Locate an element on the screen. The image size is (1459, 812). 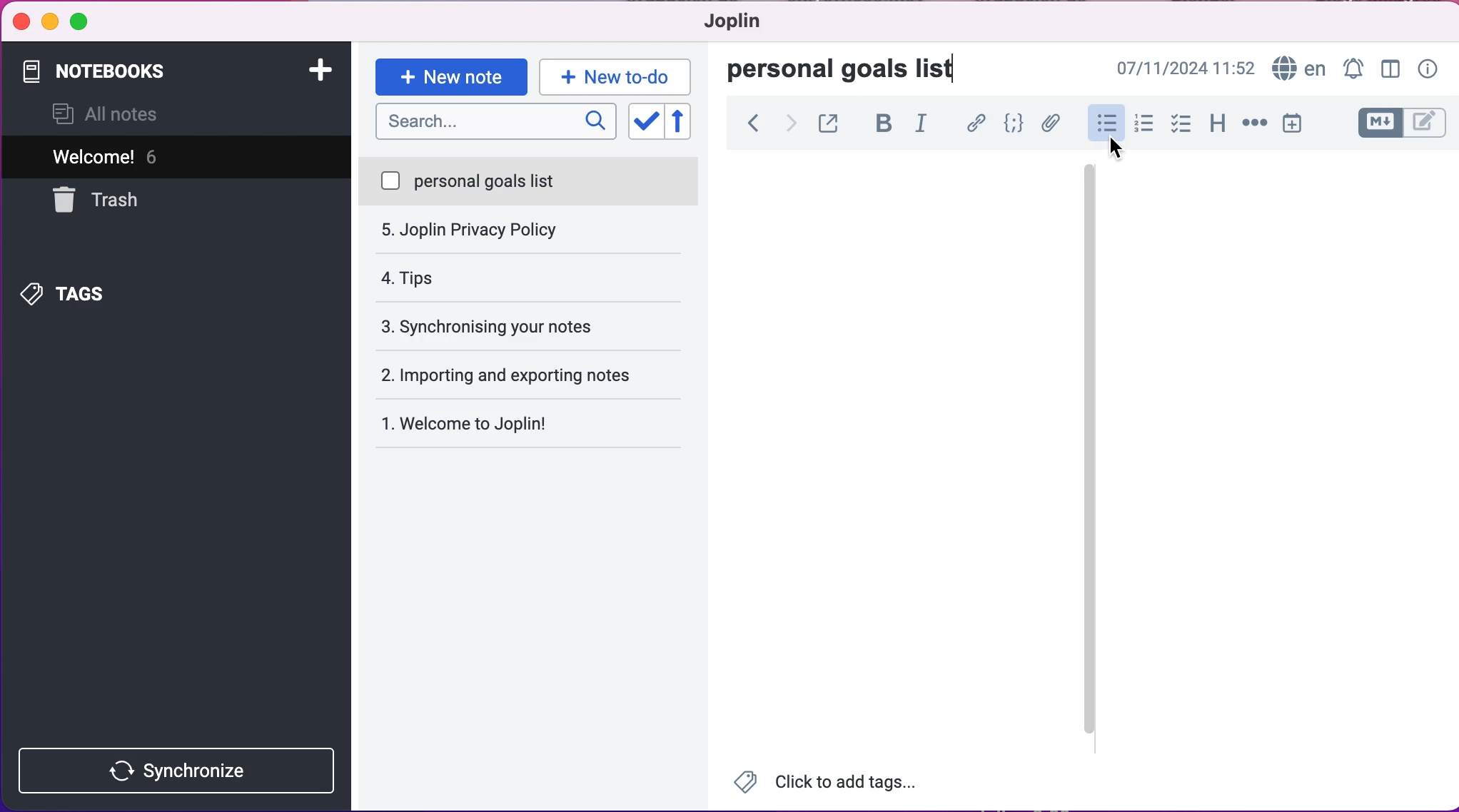
code is located at coordinates (1011, 124).